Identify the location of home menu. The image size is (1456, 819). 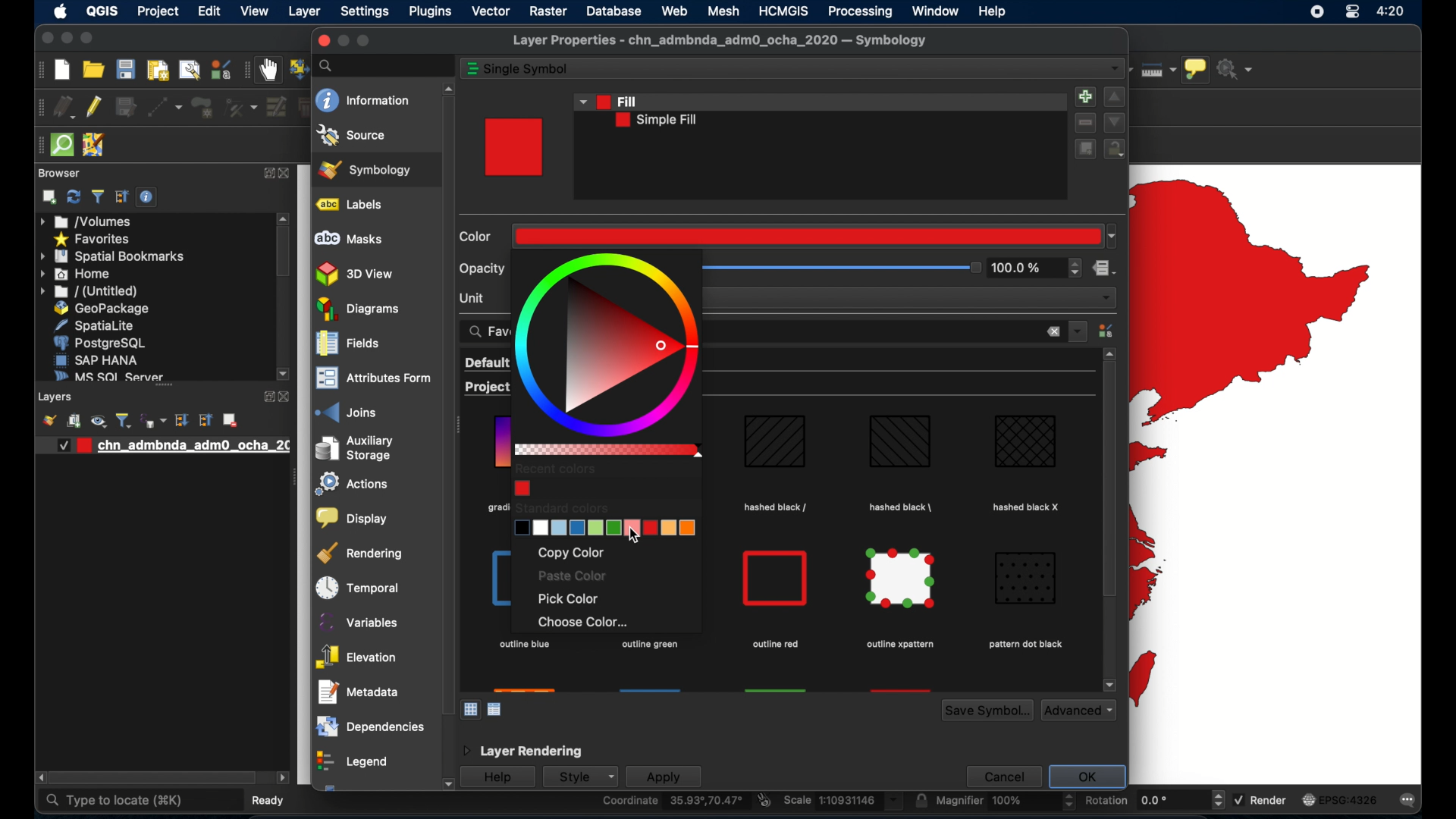
(77, 275).